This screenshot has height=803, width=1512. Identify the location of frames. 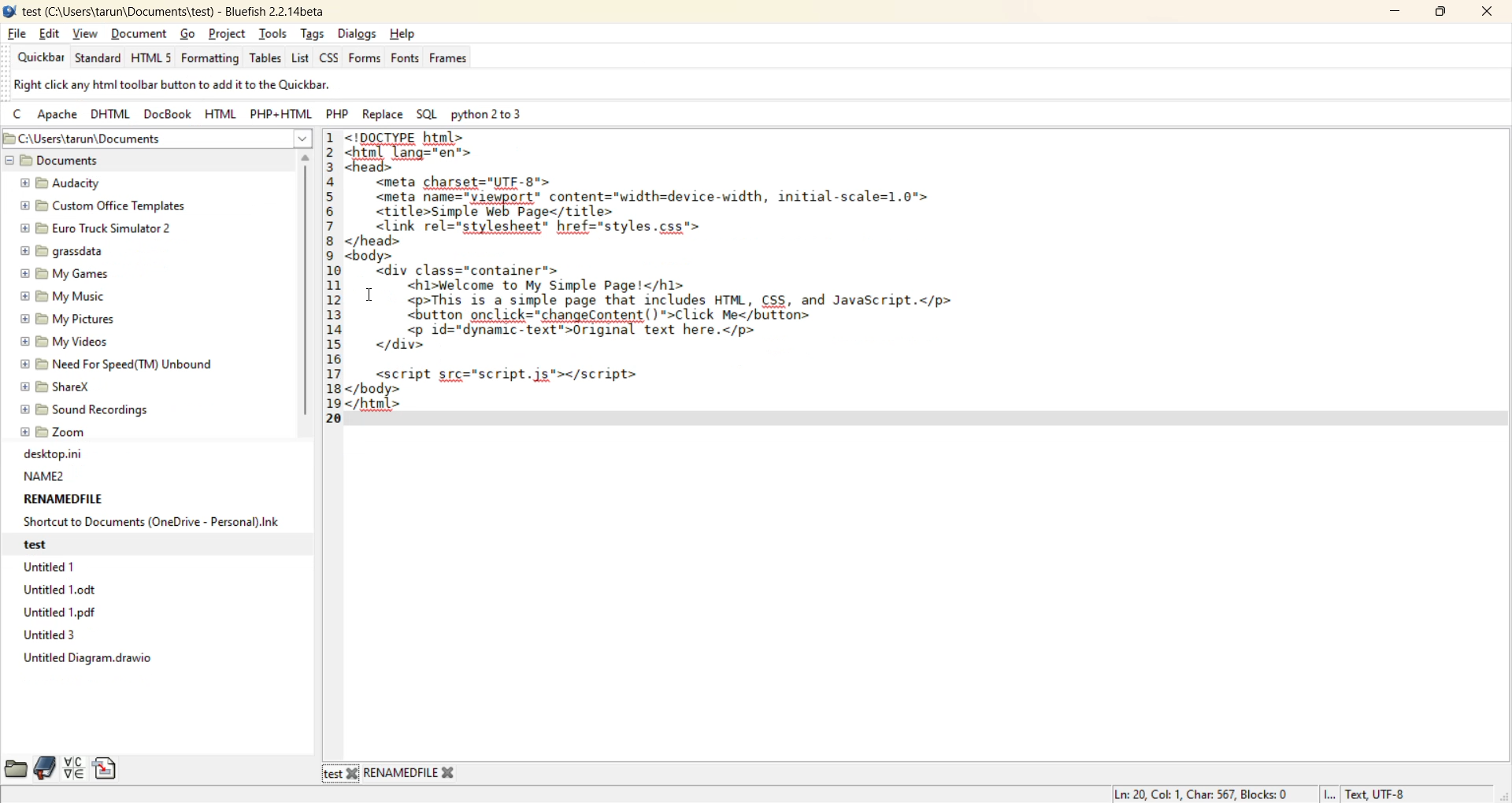
(448, 61).